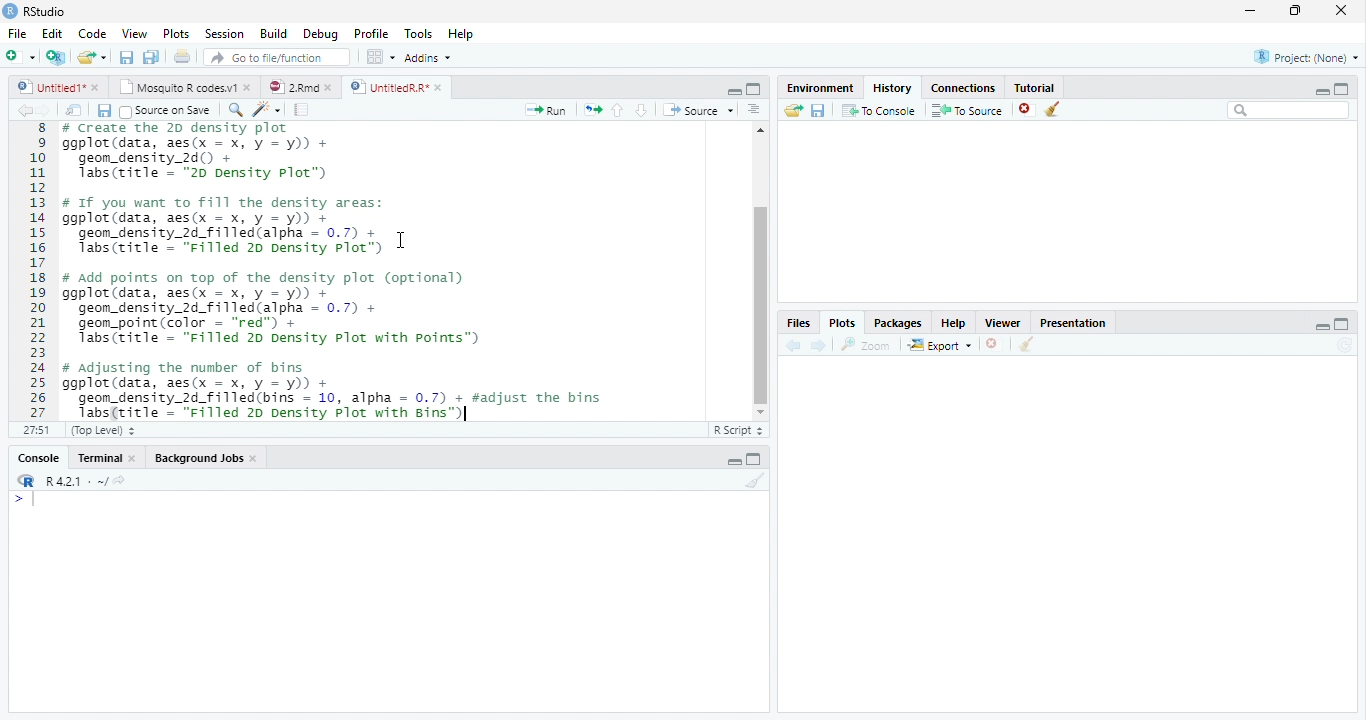 This screenshot has width=1366, height=720. Describe the element at coordinates (266, 110) in the screenshot. I see `code tool` at that location.